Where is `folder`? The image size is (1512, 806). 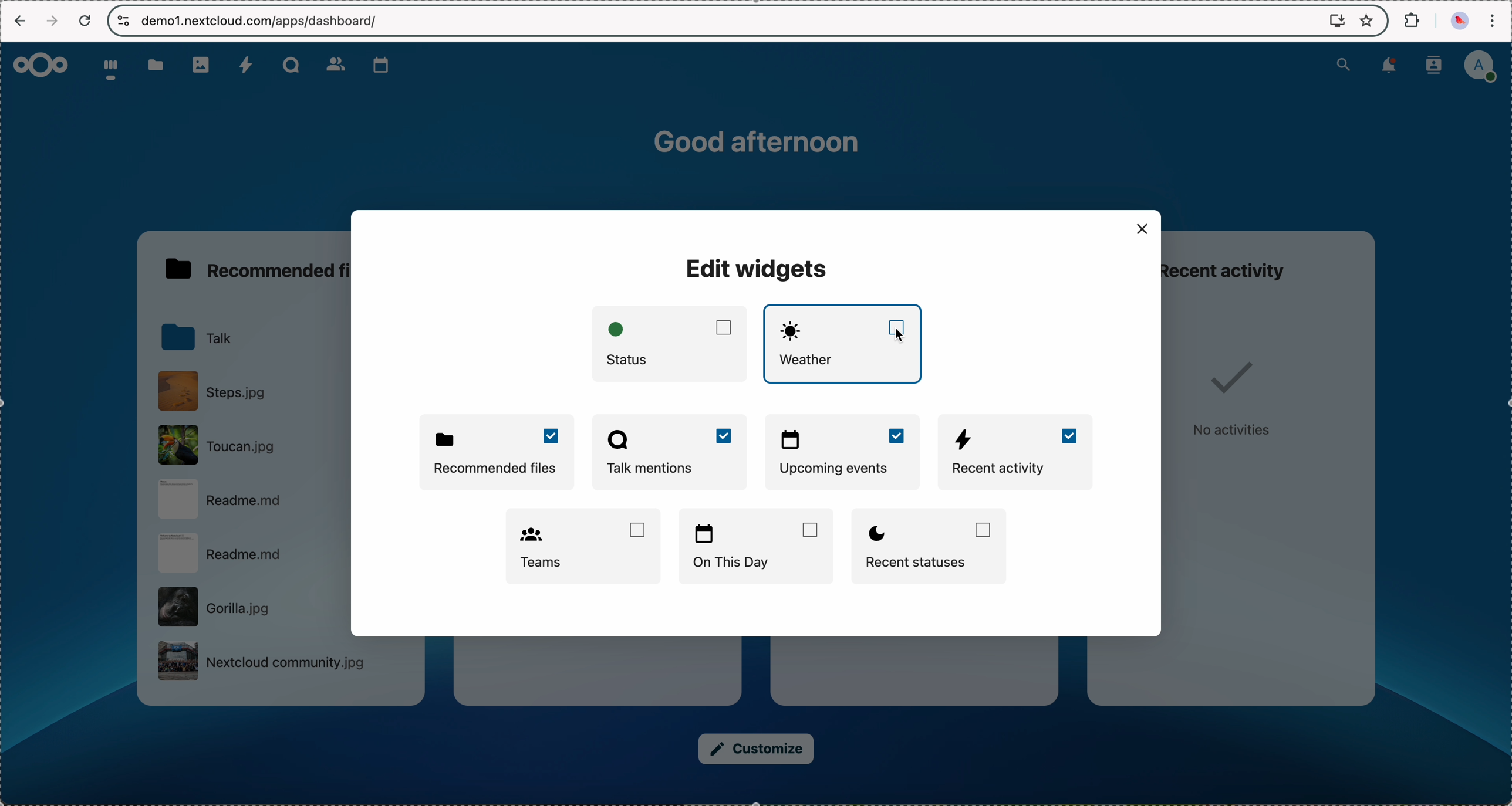
folder is located at coordinates (152, 66).